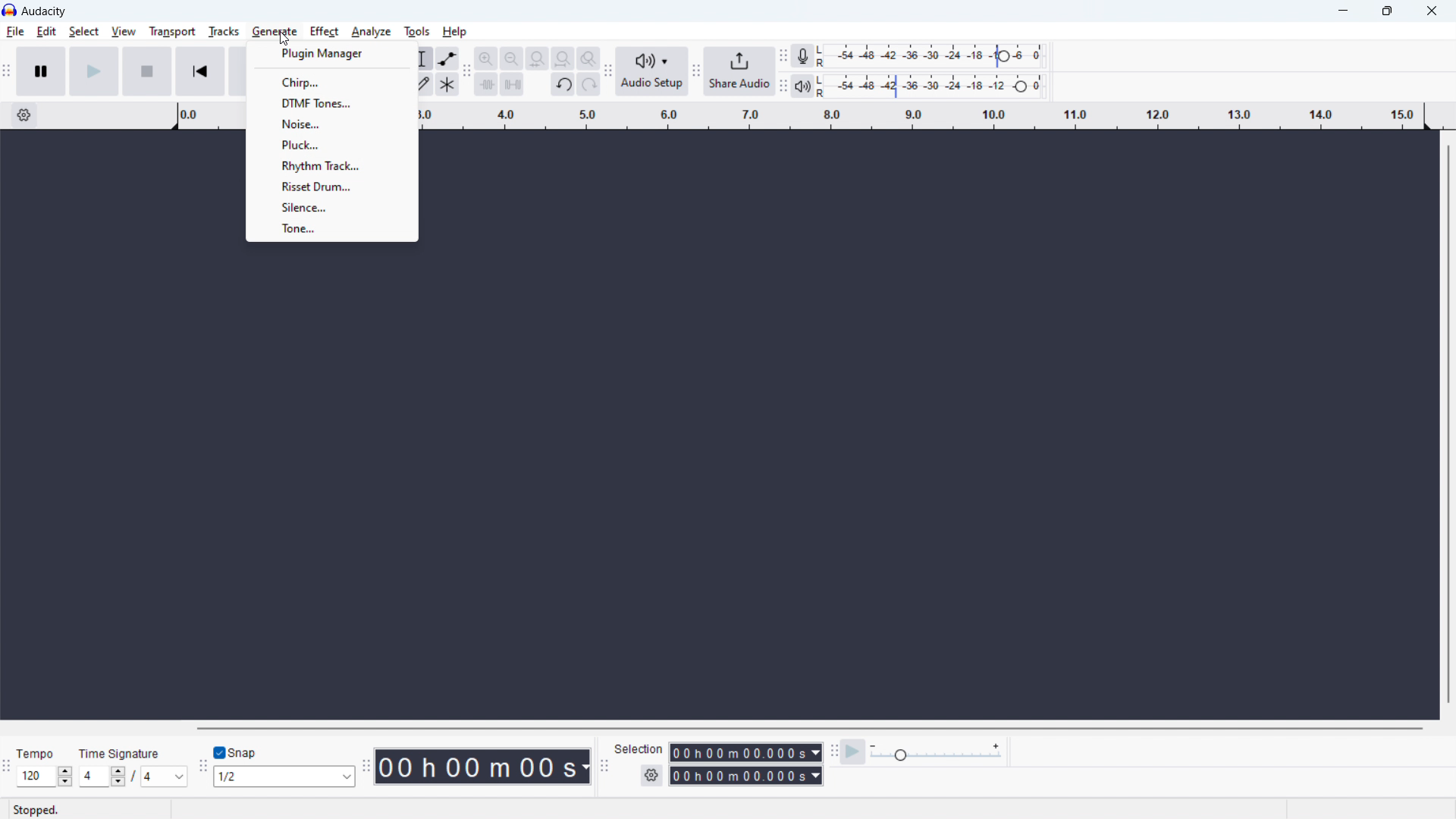 The width and height of the screenshot is (1456, 819). What do you see at coordinates (331, 207) in the screenshot?
I see `silence...` at bounding box center [331, 207].